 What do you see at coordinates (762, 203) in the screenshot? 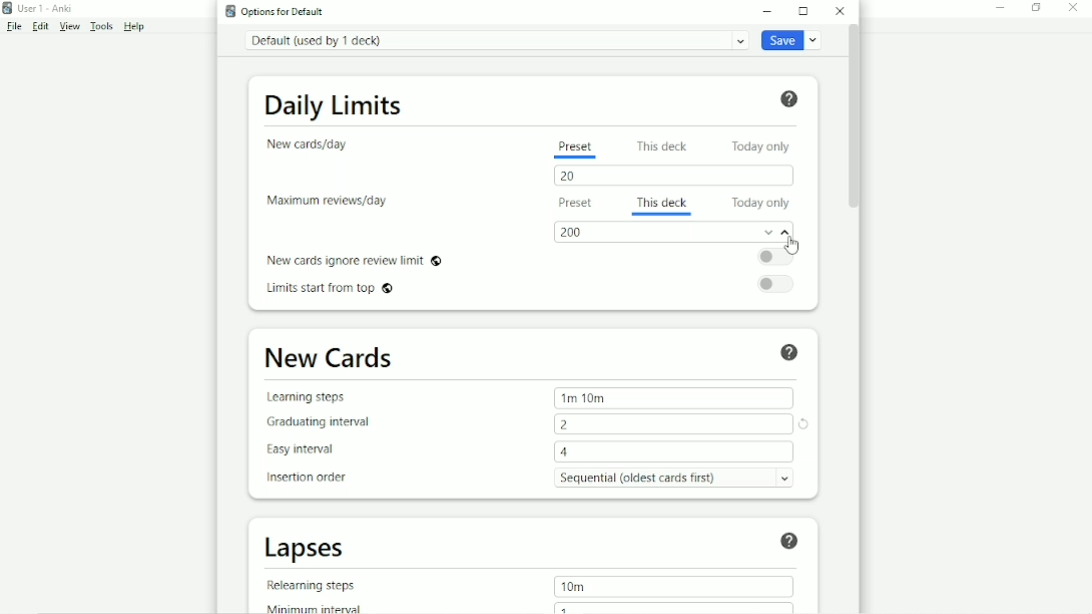
I see `Today only` at bounding box center [762, 203].